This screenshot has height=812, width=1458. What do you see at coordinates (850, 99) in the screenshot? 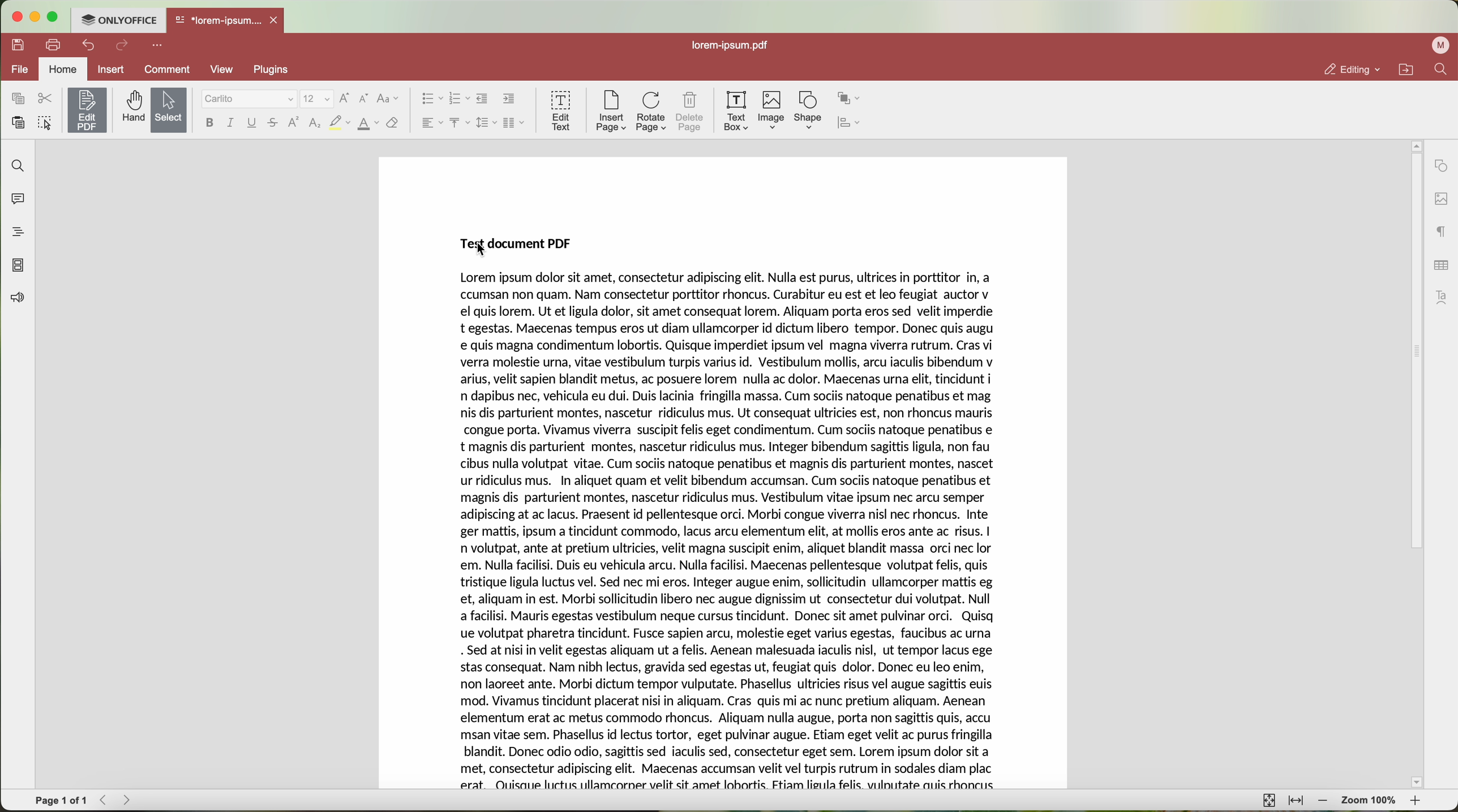
I see `arrange shape` at bounding box center [850, 99].